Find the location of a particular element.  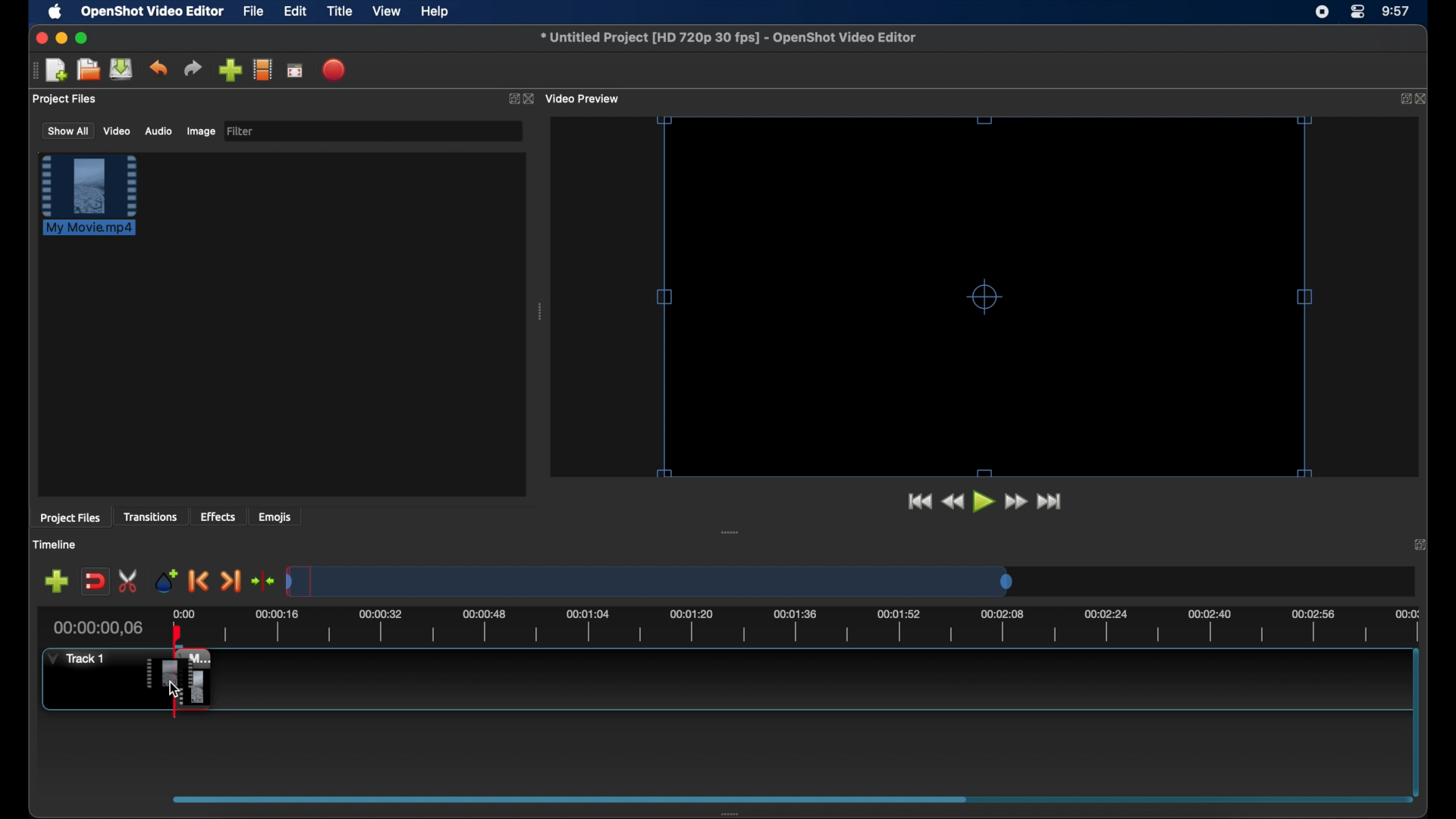

emojis is located at coordinates (275, 516).